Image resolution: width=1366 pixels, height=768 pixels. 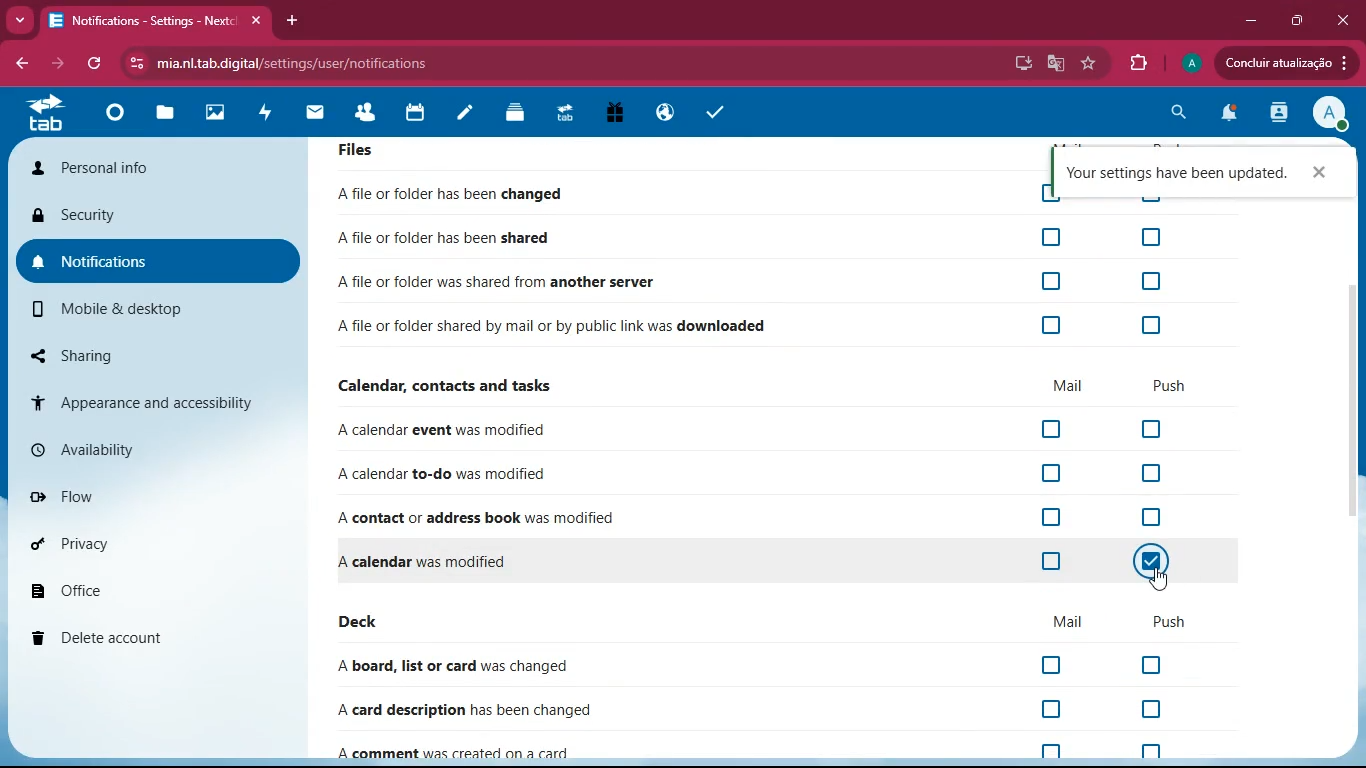 What do you see at coordinates (1145, 665) in the screenshot?
I see `off` at bounding box center [1145, 665].